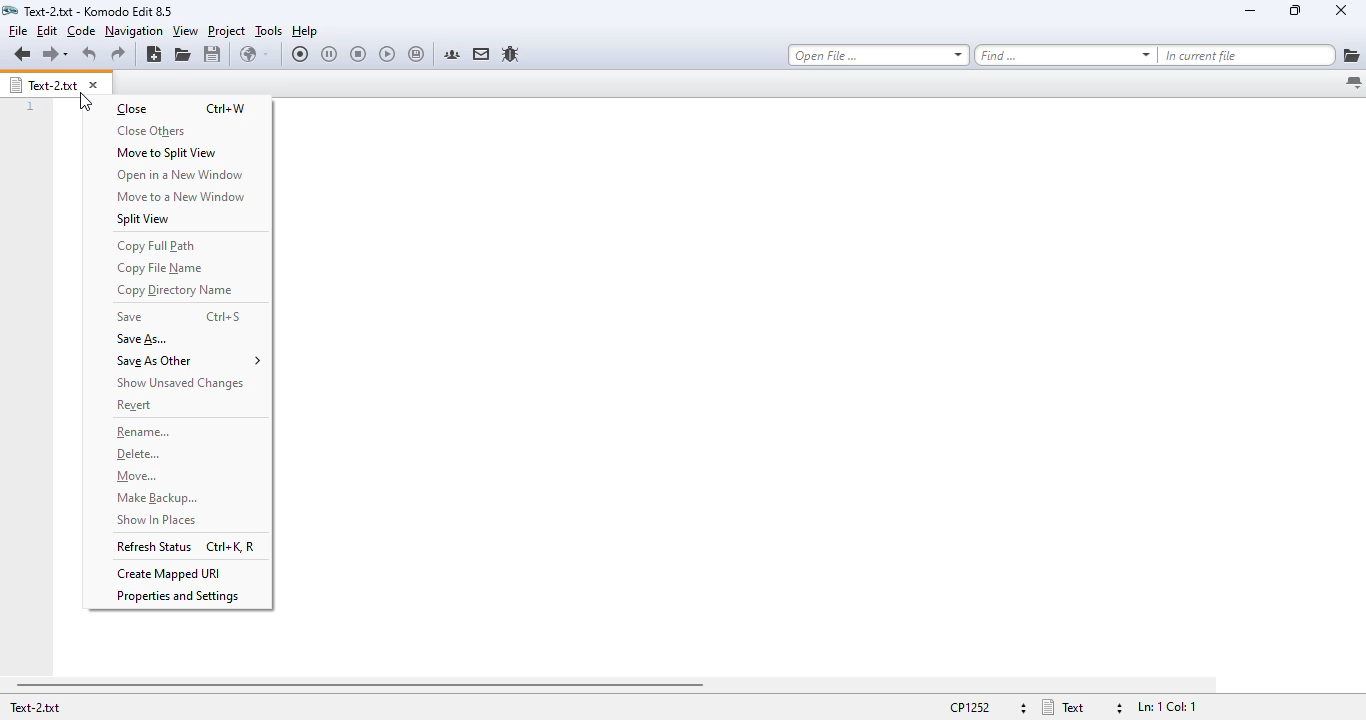  Describe the element at coordinates (177, 291) in the screenshot. I see `copy directory name` at that location.